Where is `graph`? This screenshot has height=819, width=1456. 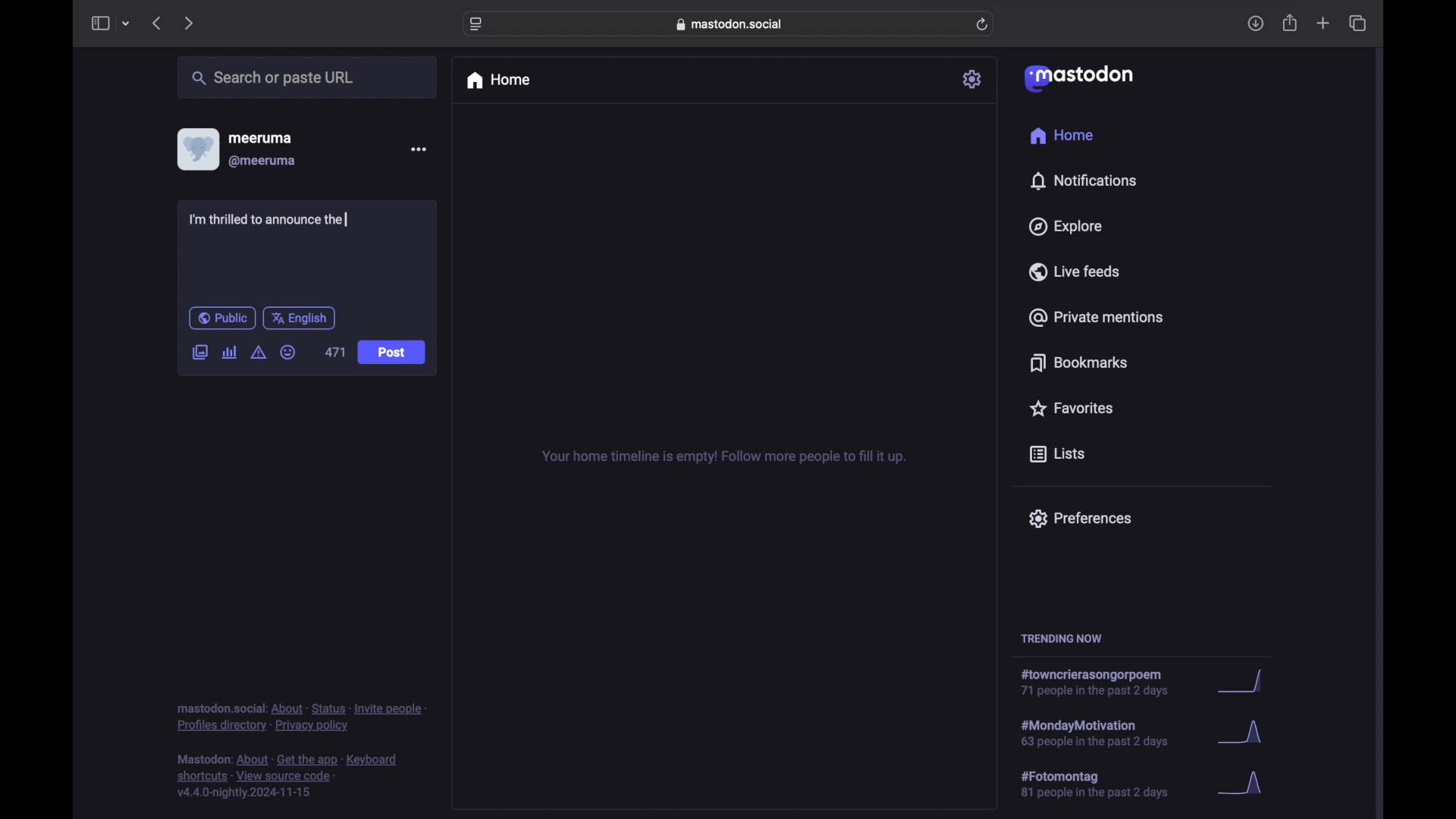
graph is located at coordinates (1246, 682).